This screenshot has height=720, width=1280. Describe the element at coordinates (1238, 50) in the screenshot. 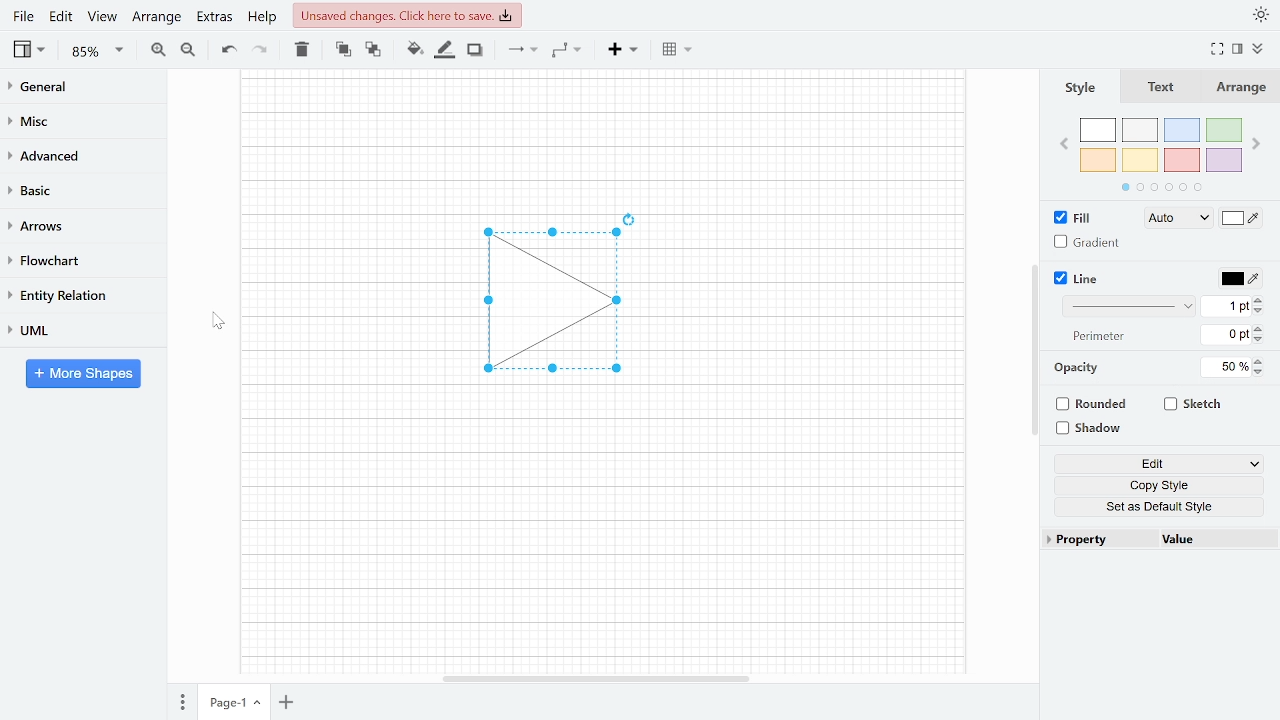

I see `Format (Ctrl+Shift+P)` at that location.